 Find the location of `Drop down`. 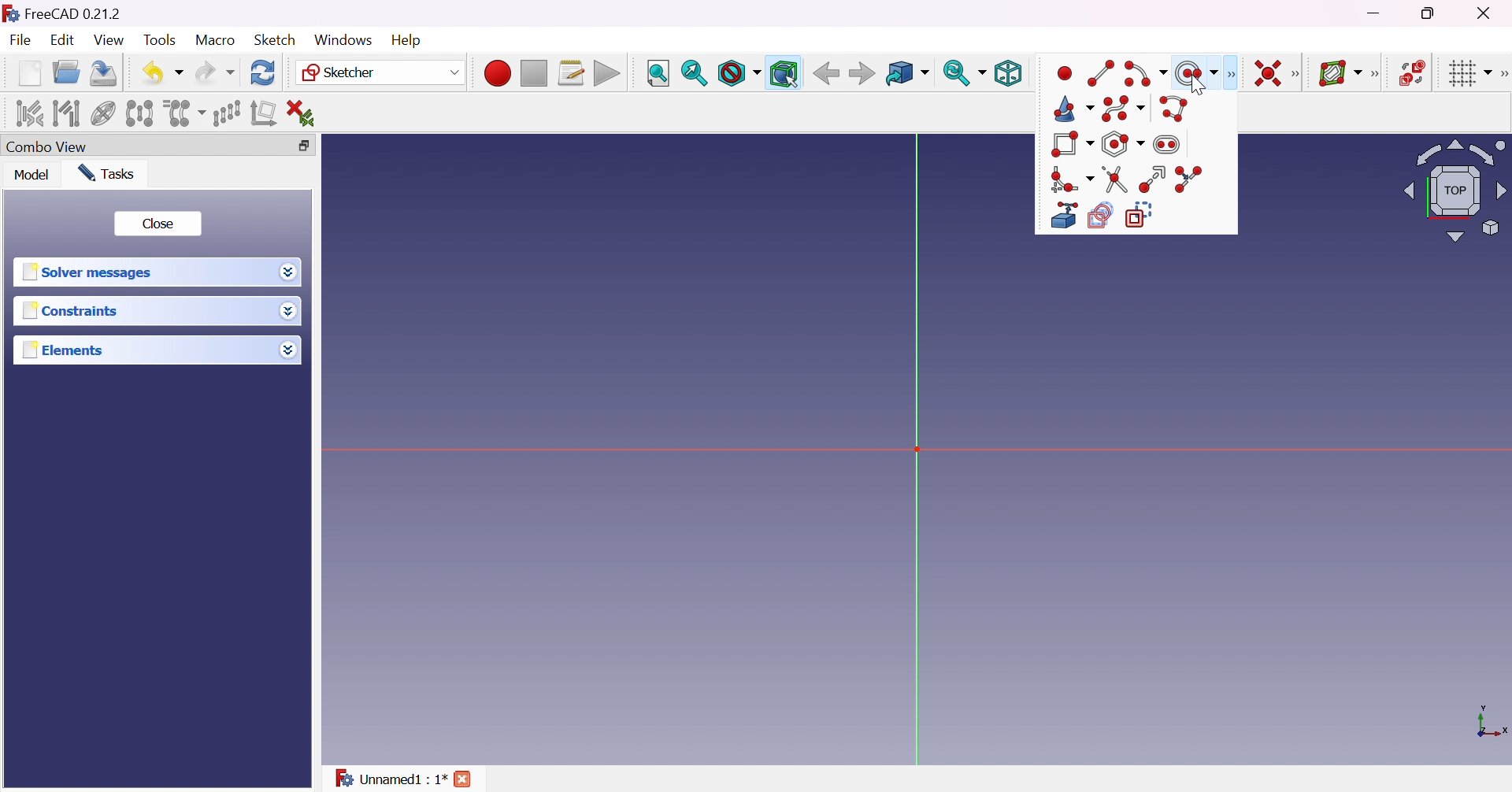

Drop down is located at coordinates (289, 272).